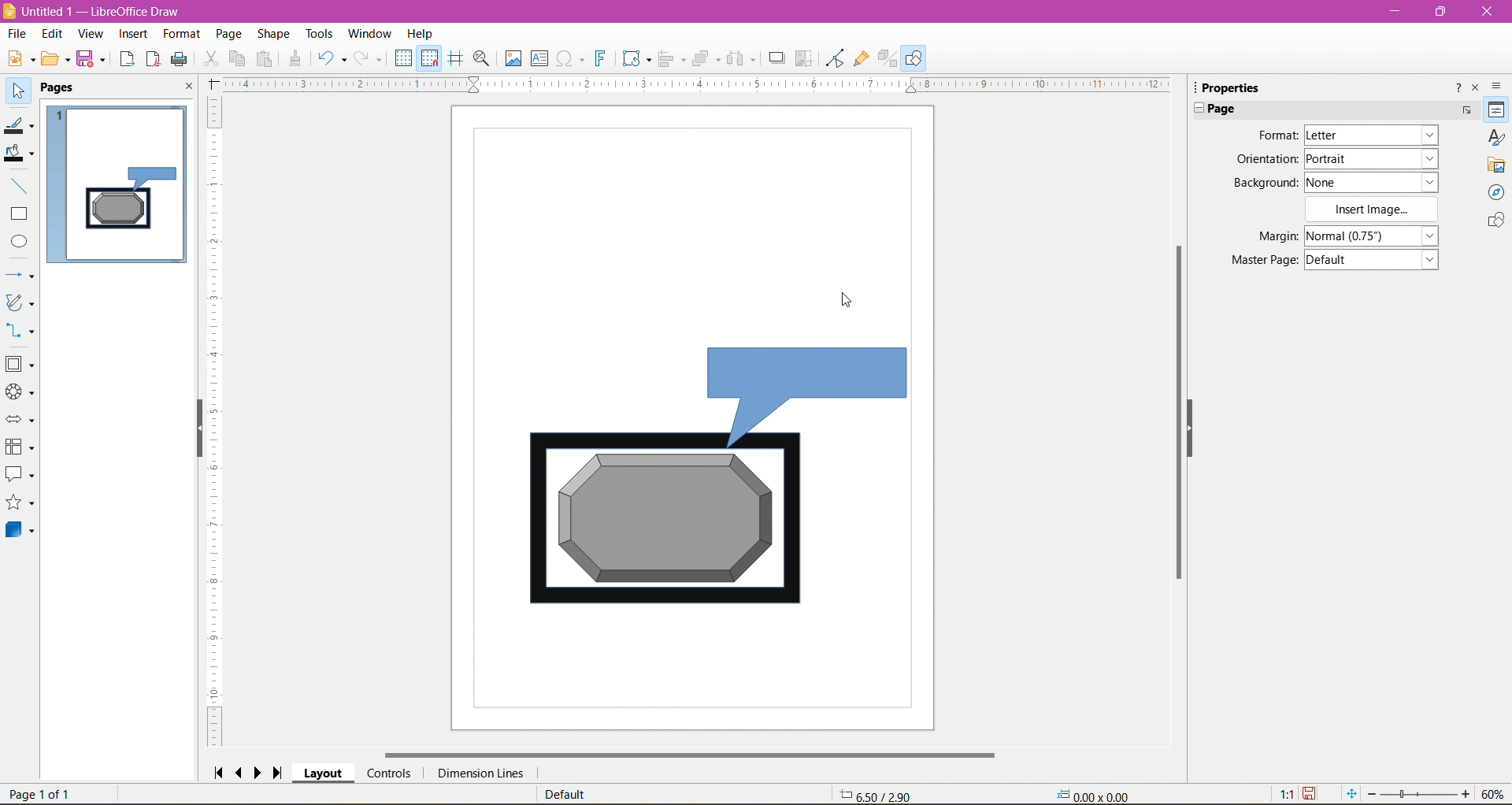 This screenshot has height=805, width=1512. What do you see at coordinates (20, 420) in the screenshot?
I see `Block Arrows` at bounding box center [20, 420].